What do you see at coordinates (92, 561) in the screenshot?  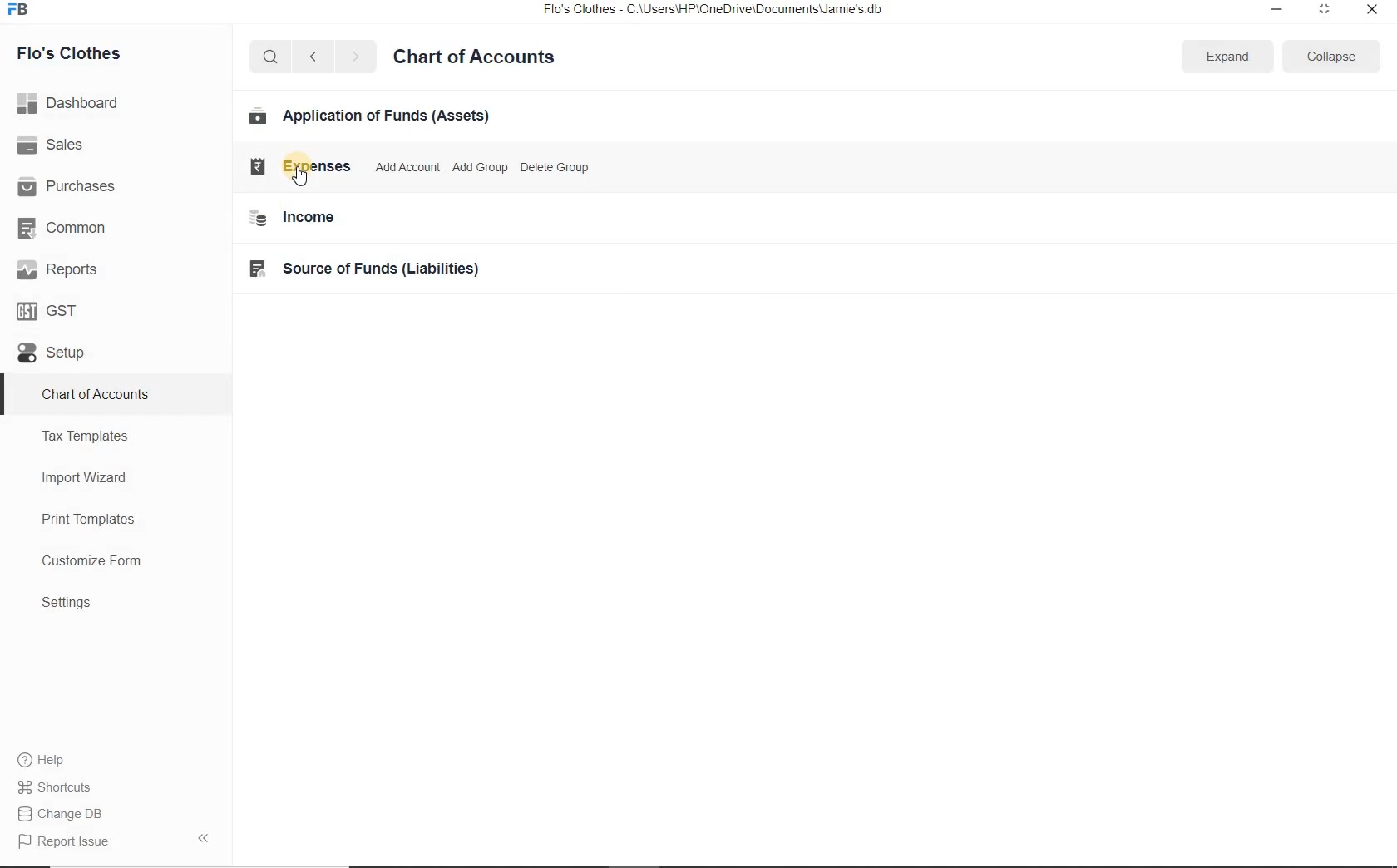 I see `Customize Form` at bounding box center [92, 561].